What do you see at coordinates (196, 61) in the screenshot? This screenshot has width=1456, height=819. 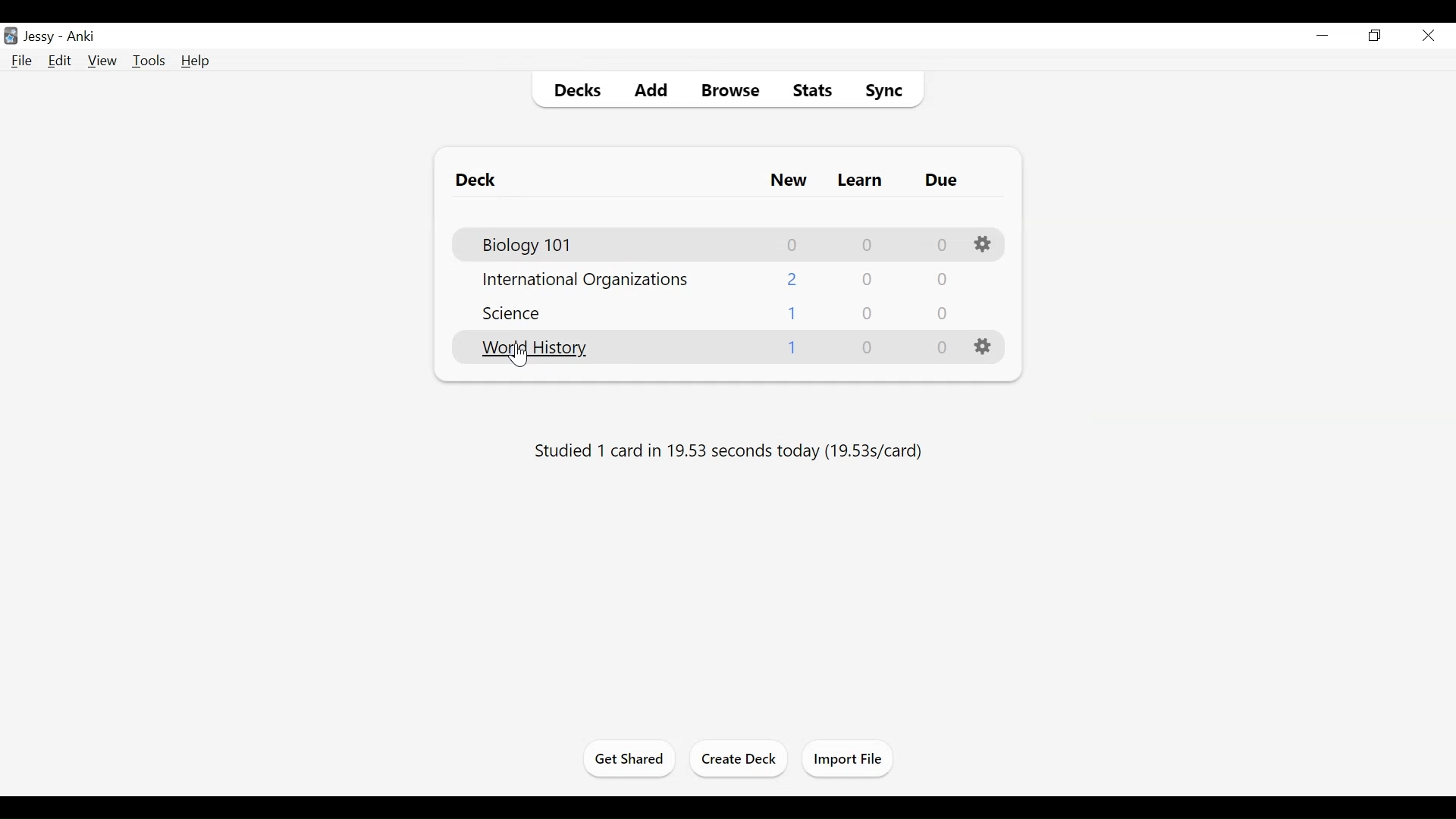 I see `Help` at bounding box center [196, 61].